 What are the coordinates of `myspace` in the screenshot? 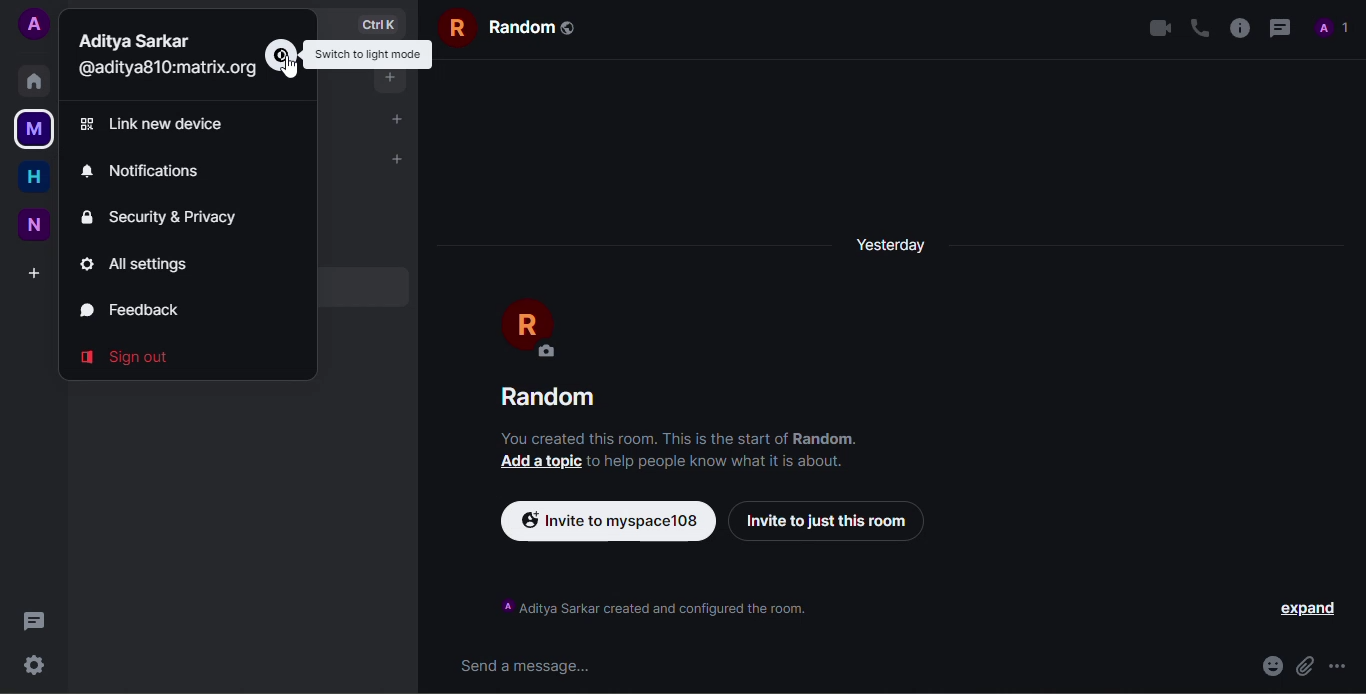 It's located at (31, 128).